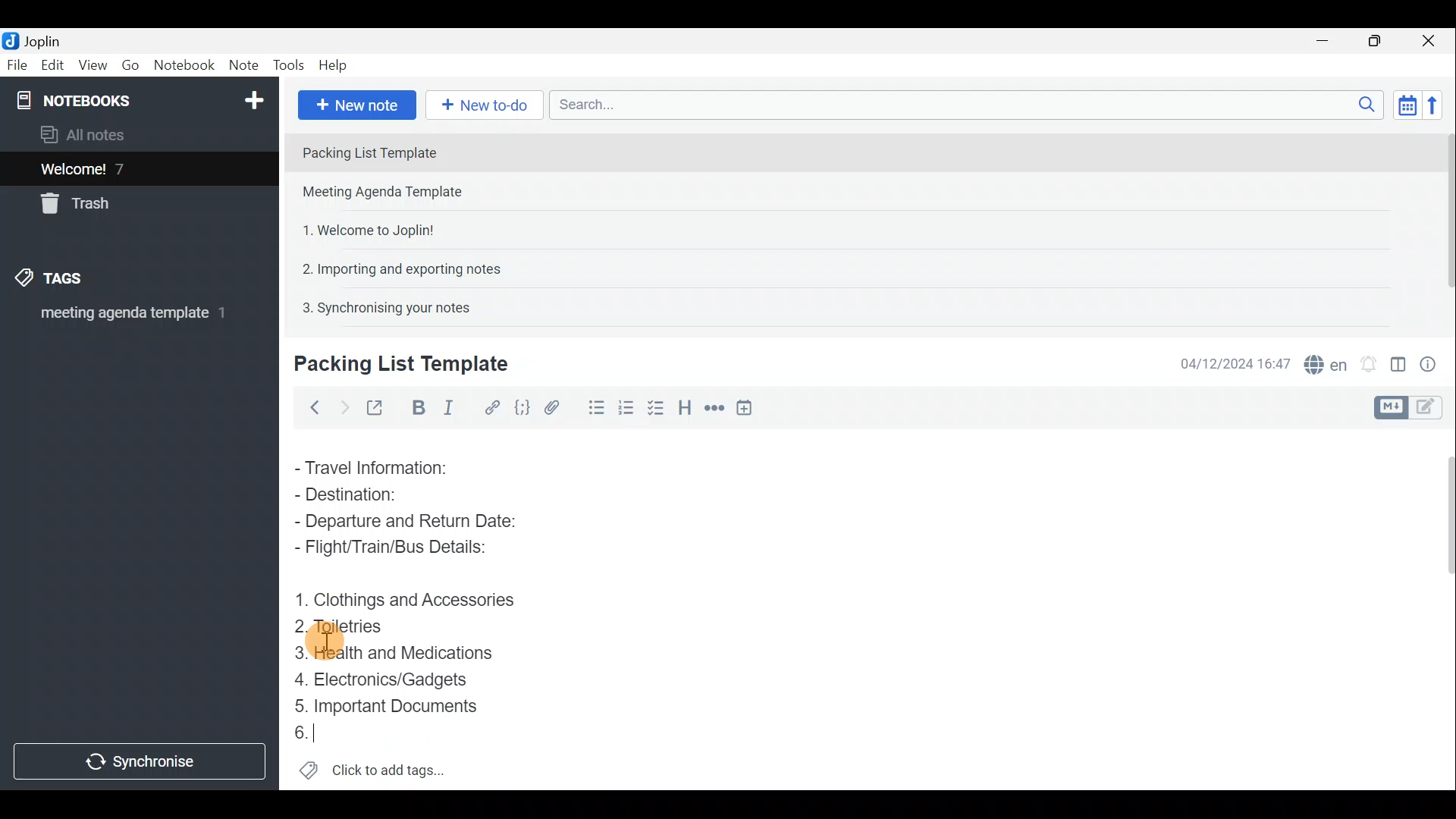 The image size is (1456, 819). What do you see at coordinates (1330, 43) in the screenshot?
I see `Minimise` at bounding box center [1330, 43].